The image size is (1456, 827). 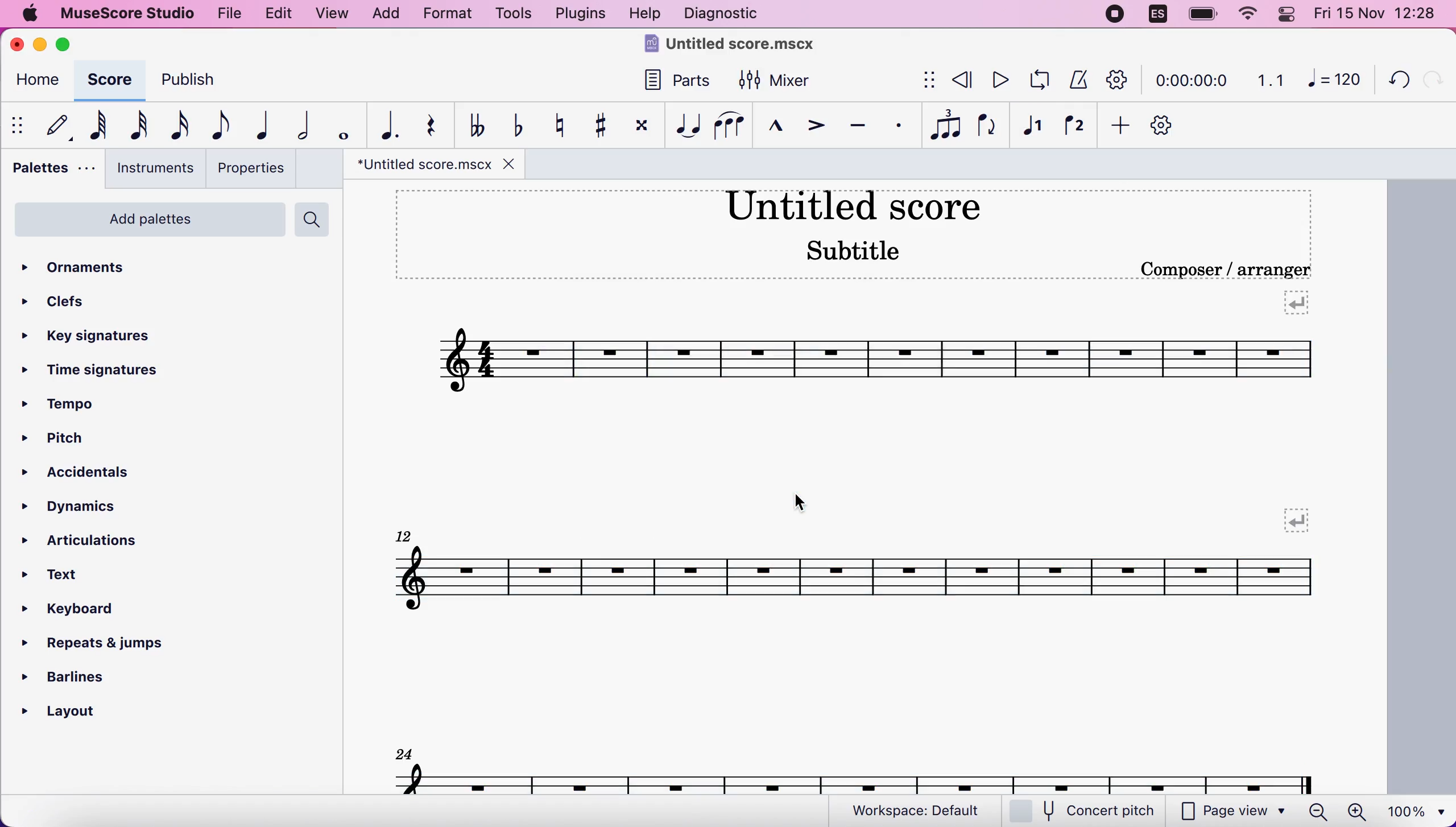 I want to click on add, so click(x=1116, y=126).